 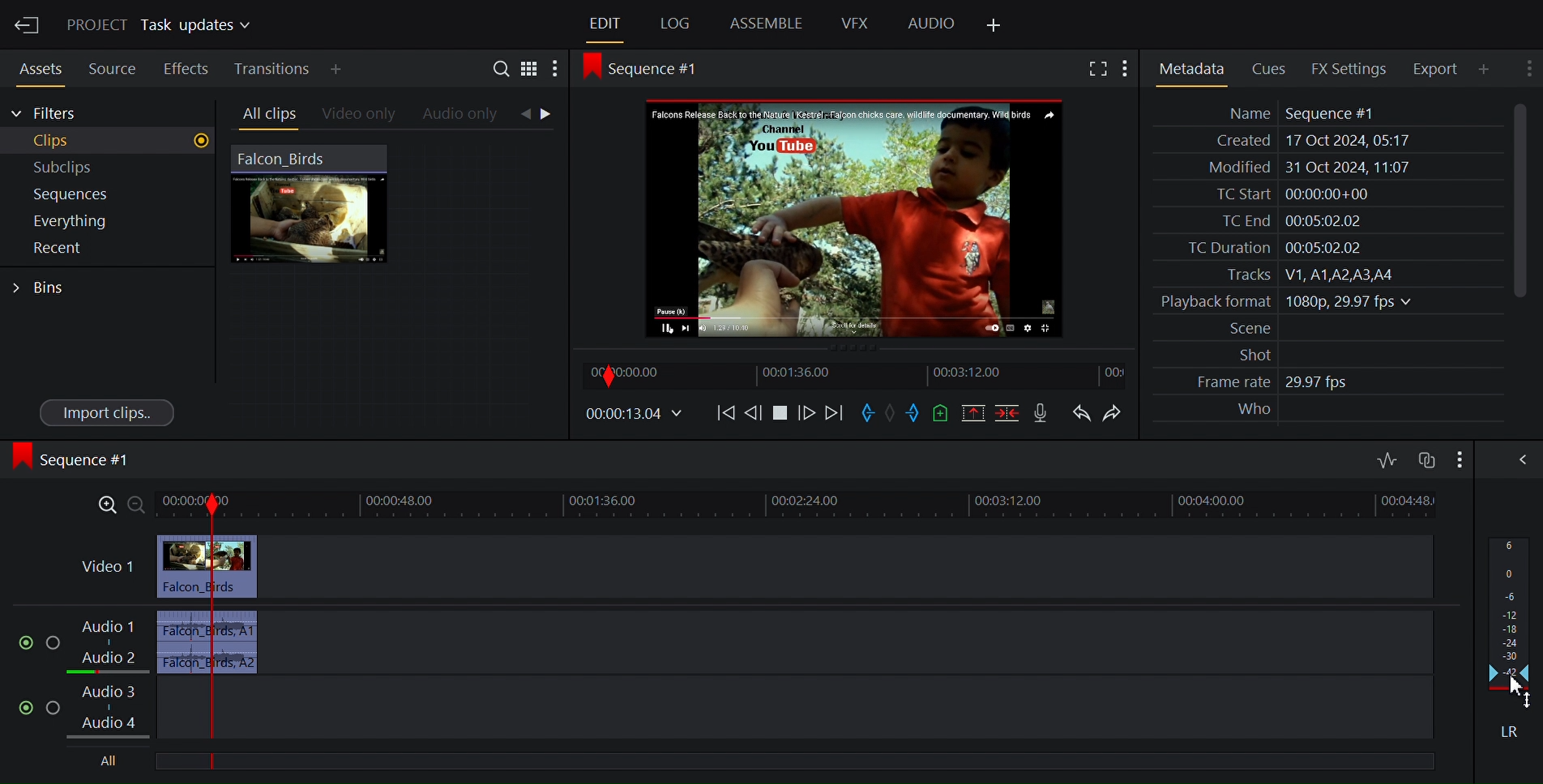 What do you see at coordinates (98, 222) in the screenshot?
I see `Everything` at bounding box center [98, 222].